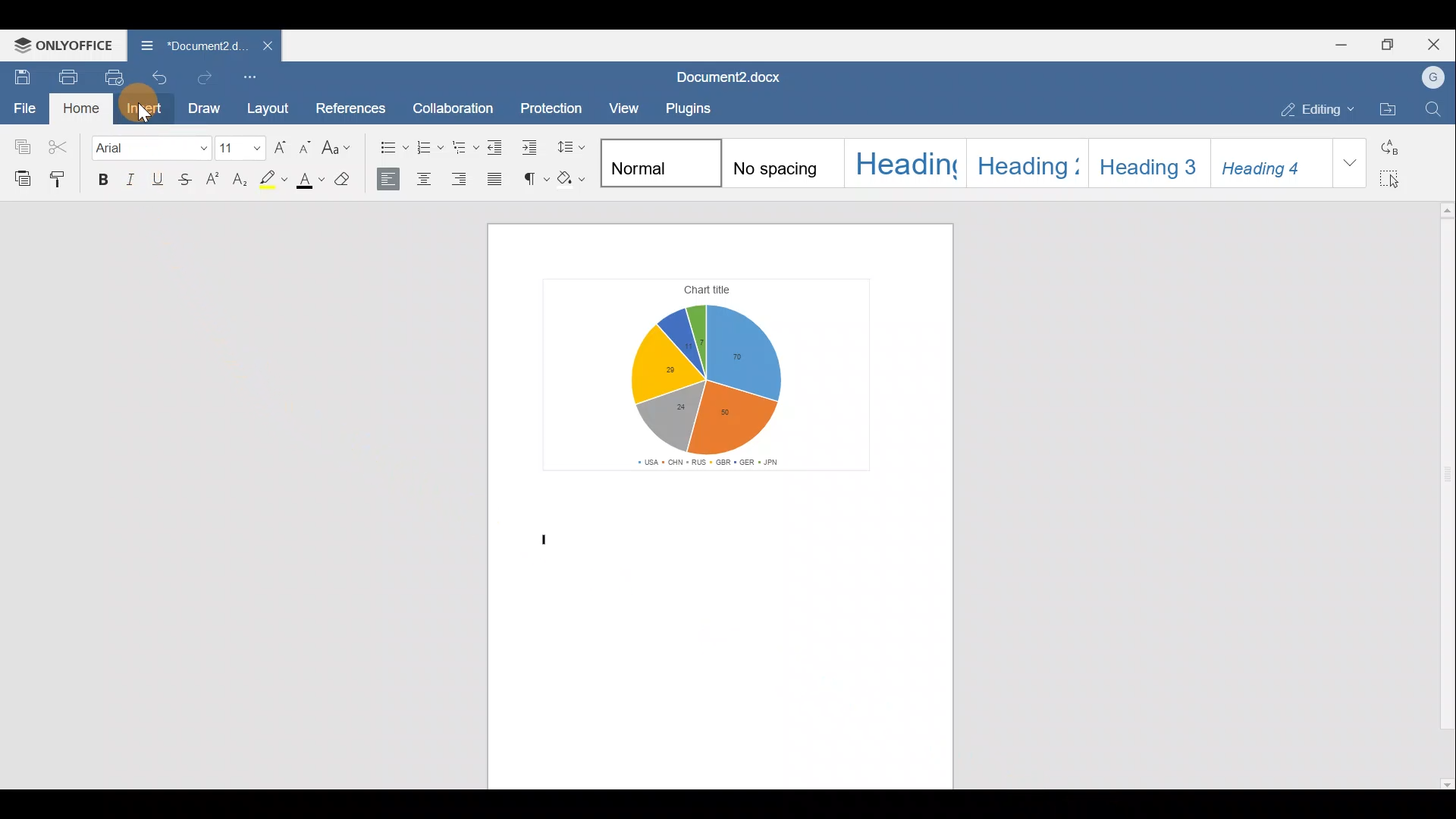  What do you see at coordinates (1388, 108) in the screenshot?
I see `Open file location` at bounding box center [1388, 108].